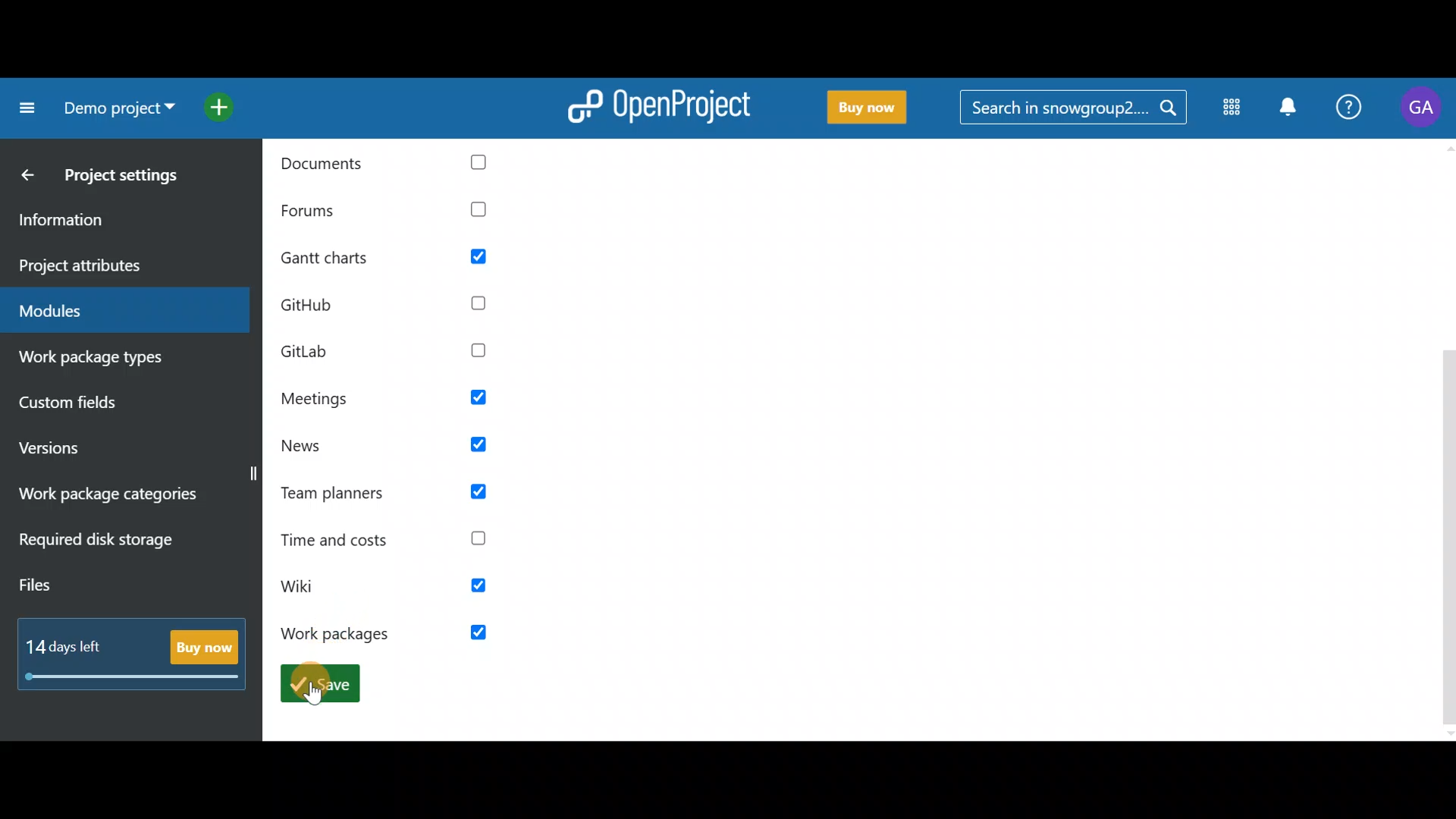 This screenshot has height=819, width=1456. Describe the element at coordinates (1234, 108) in the screenshot. I see `Modules` at that location.